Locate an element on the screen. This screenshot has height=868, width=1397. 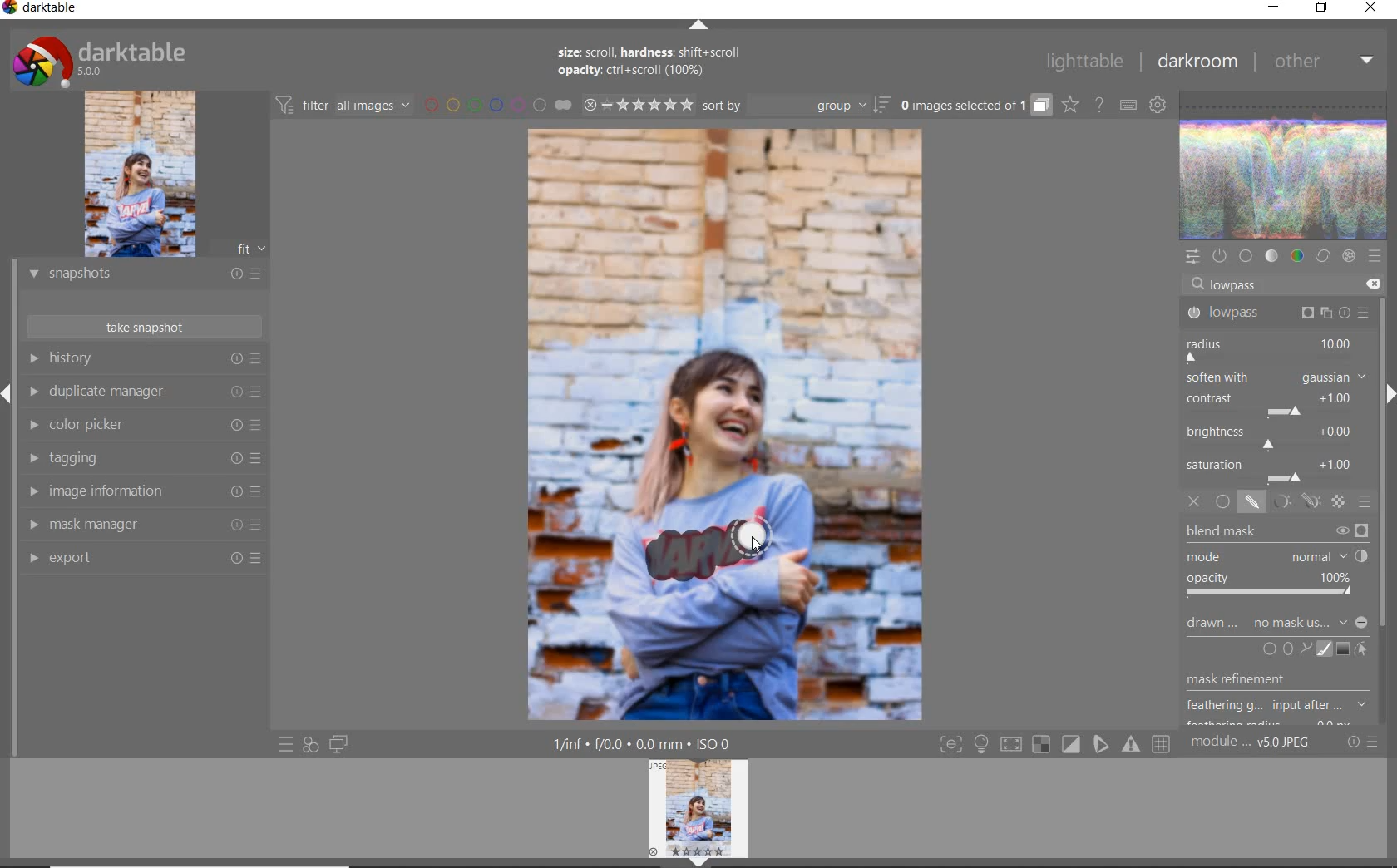
off is located at coordinates (1197, 503).